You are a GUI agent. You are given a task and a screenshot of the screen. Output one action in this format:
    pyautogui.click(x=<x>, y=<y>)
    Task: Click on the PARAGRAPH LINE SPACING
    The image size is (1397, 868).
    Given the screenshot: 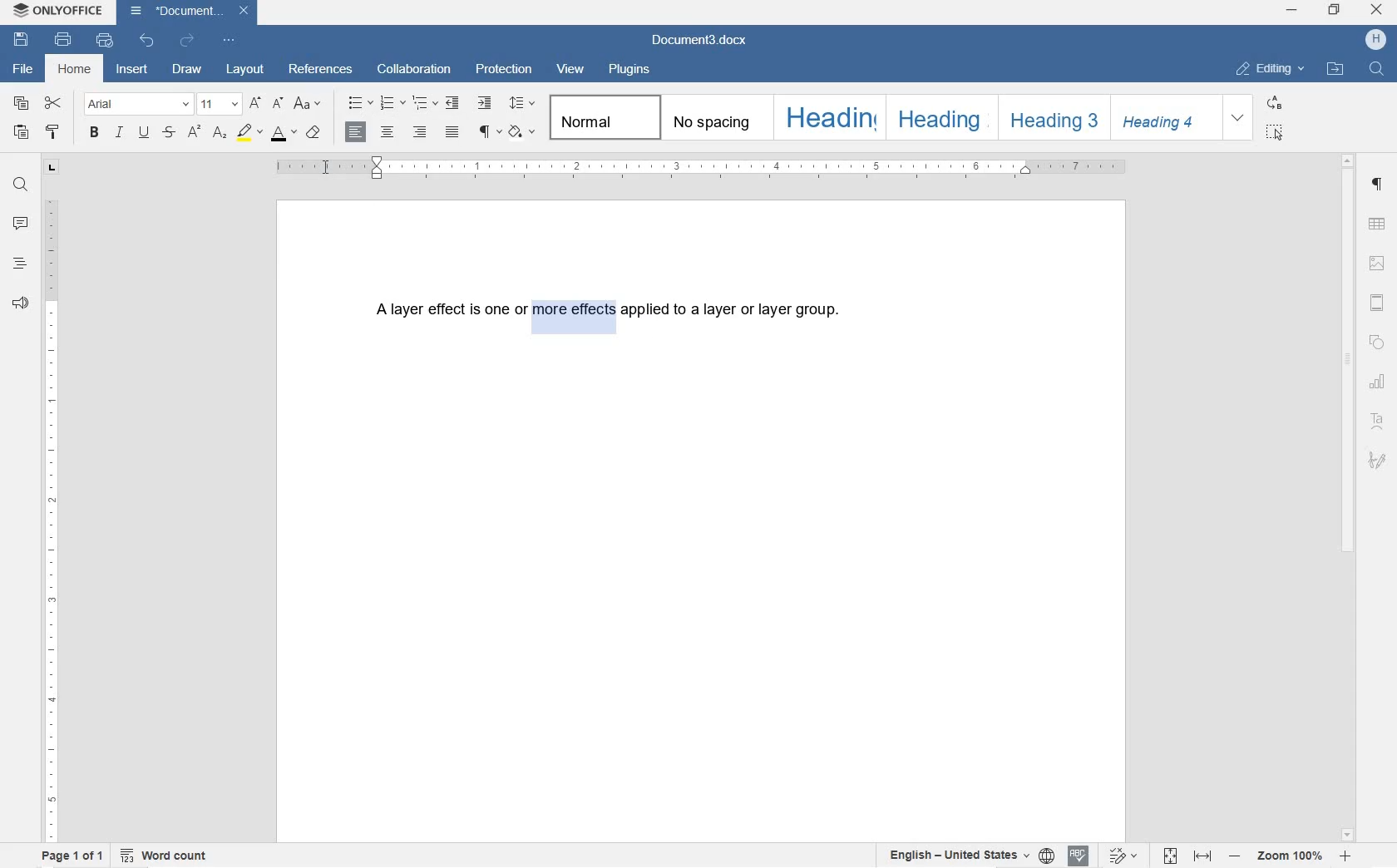 What is the action you would take?
    pyautogui.click(x=525, y=104)
    